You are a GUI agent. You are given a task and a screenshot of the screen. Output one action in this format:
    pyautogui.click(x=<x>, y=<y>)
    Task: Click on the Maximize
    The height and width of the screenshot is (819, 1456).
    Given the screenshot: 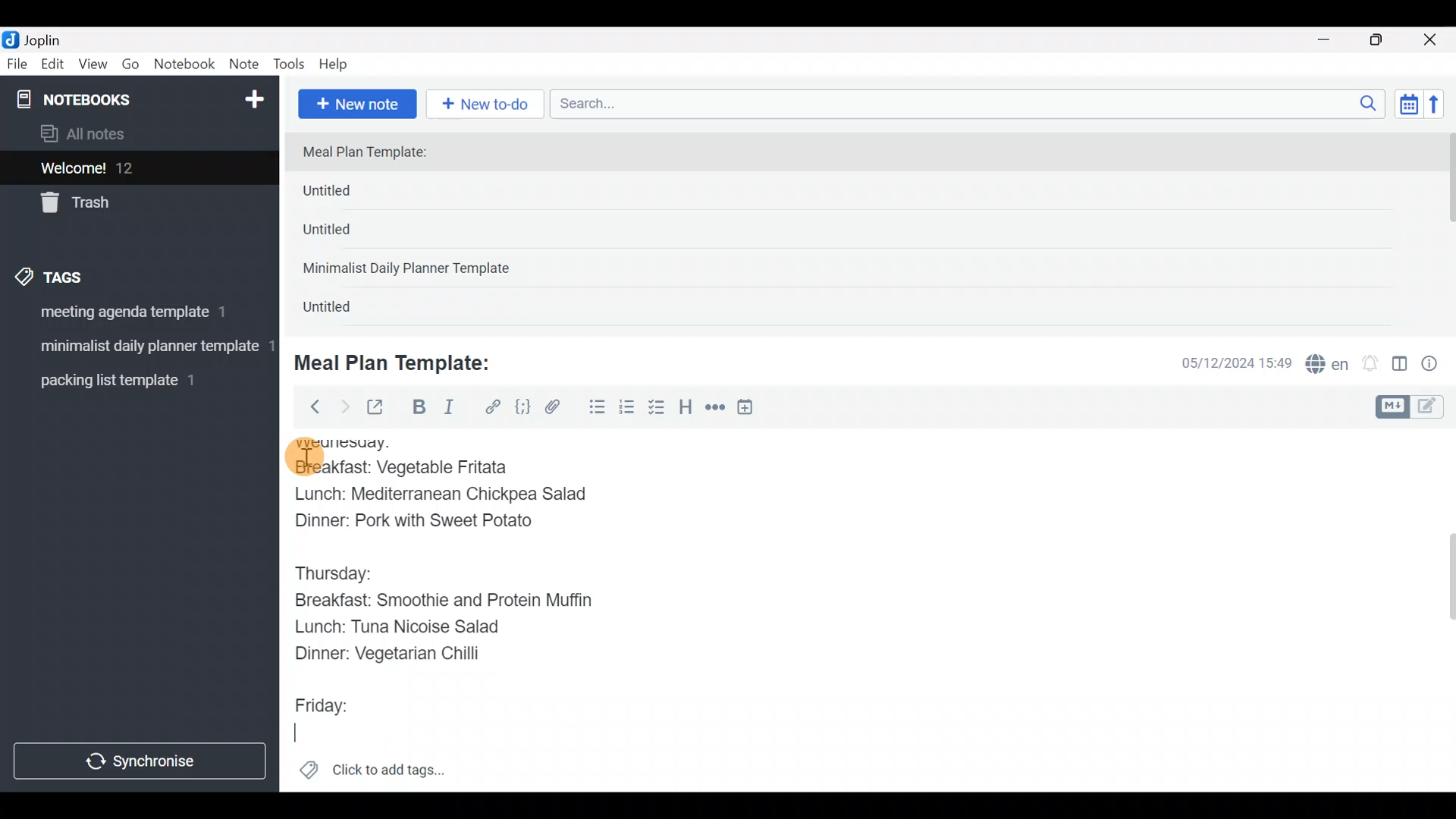 What is the action you would take?
    pyautogui.click(x=1385, y=40)
    